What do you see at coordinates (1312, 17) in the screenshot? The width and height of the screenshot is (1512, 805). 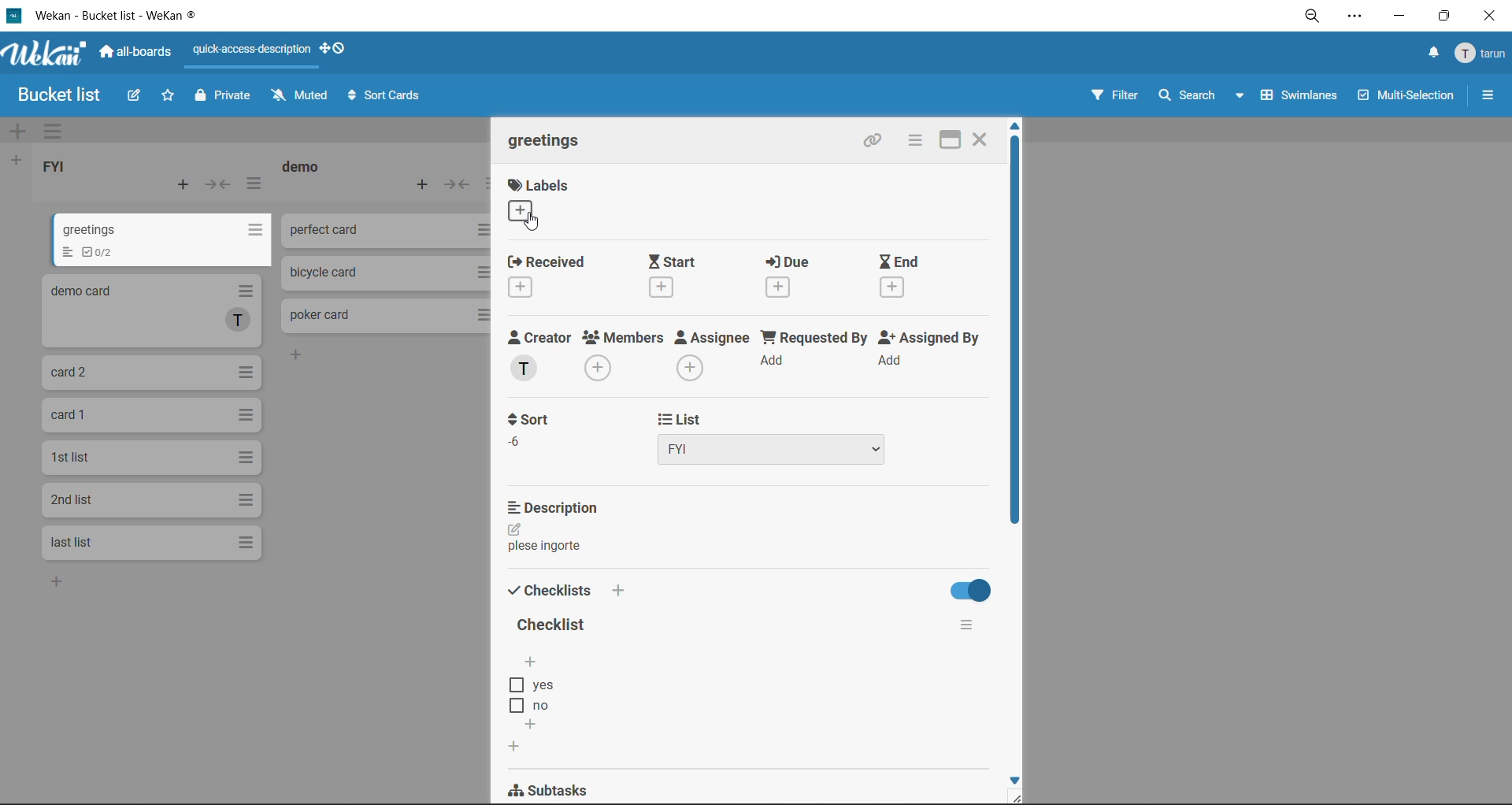 I see `zoom` at bounding box center [1312, 17].